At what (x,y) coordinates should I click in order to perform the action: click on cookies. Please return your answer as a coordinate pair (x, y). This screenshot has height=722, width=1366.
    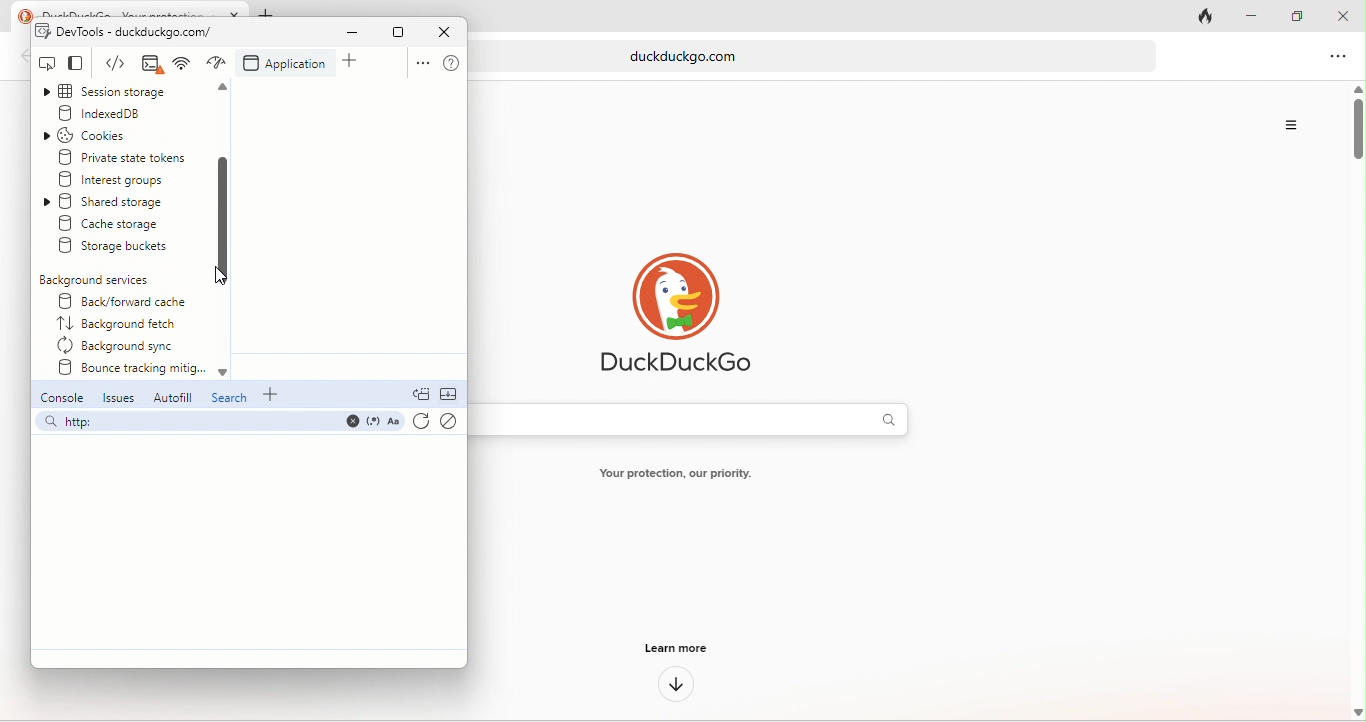
    Looking at the image, I should click on (105, 135).